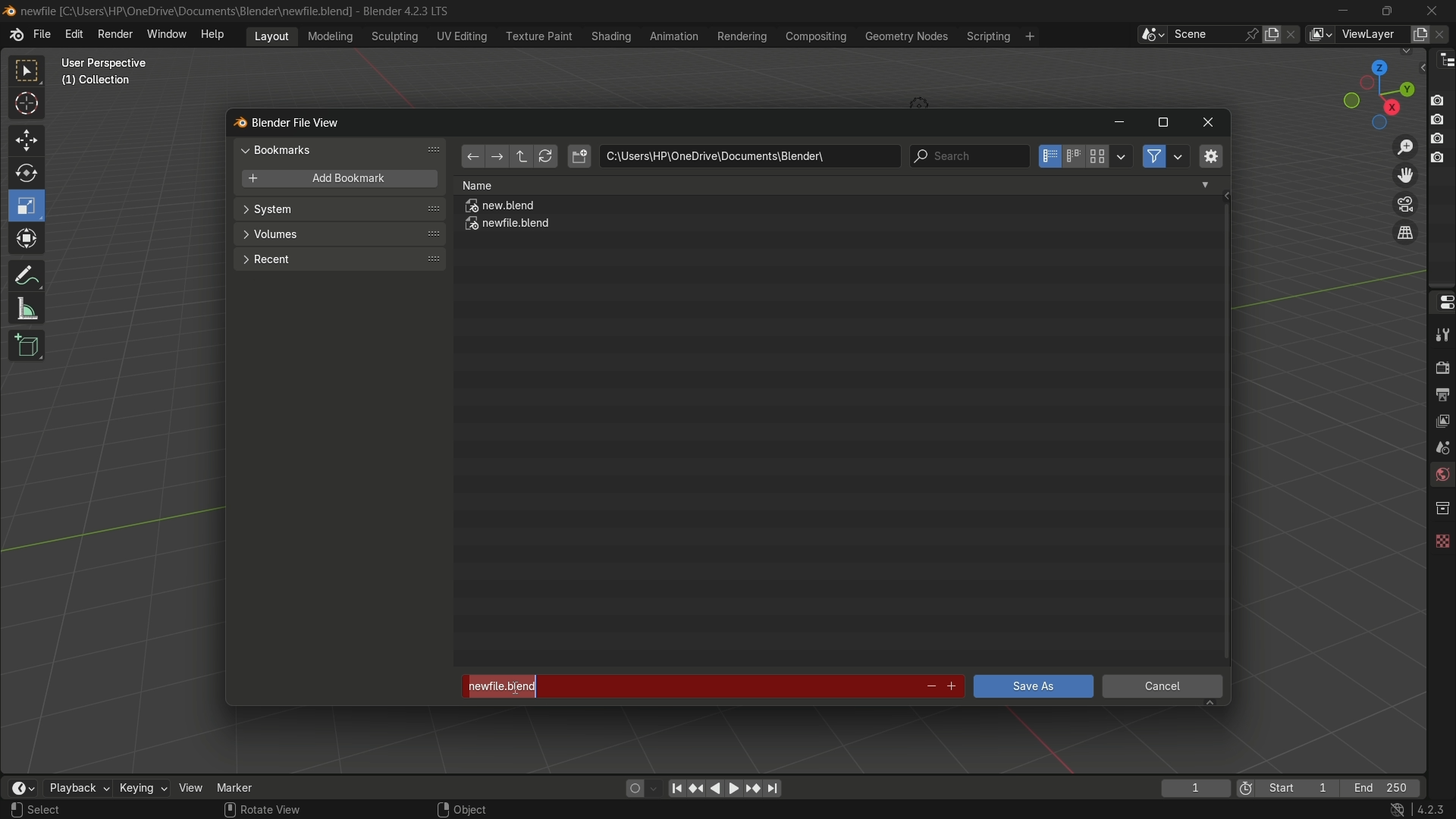  What do you see at coordinates (1441, 538) in the screenshot?
I see `texture` at bounding box center [1441, 538].